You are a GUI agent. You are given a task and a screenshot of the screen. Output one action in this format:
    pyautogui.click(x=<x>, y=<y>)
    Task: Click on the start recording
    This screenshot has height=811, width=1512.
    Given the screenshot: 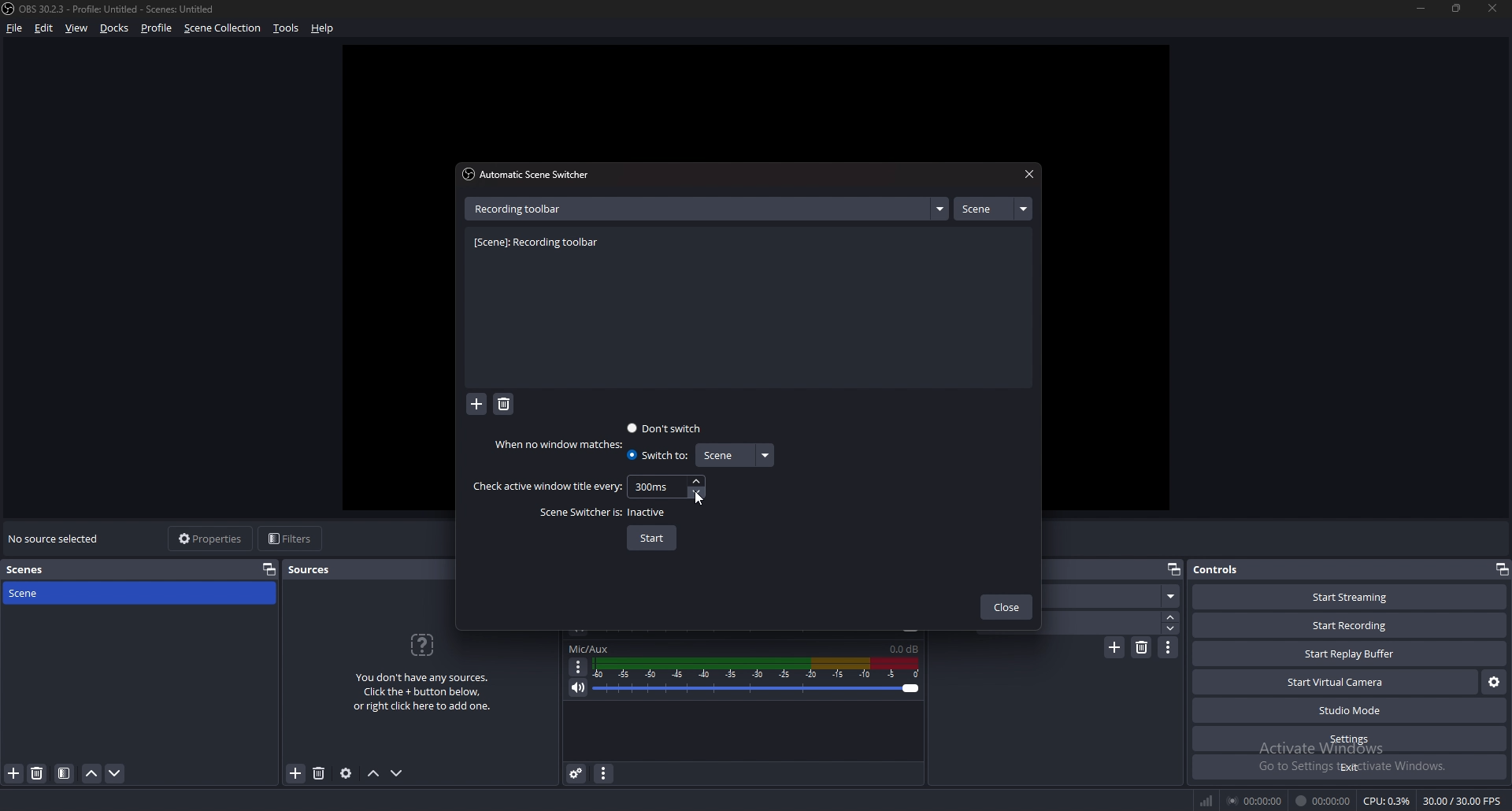 What is the action you would take?
    pyautogui.click(x=1349, y=626)
    